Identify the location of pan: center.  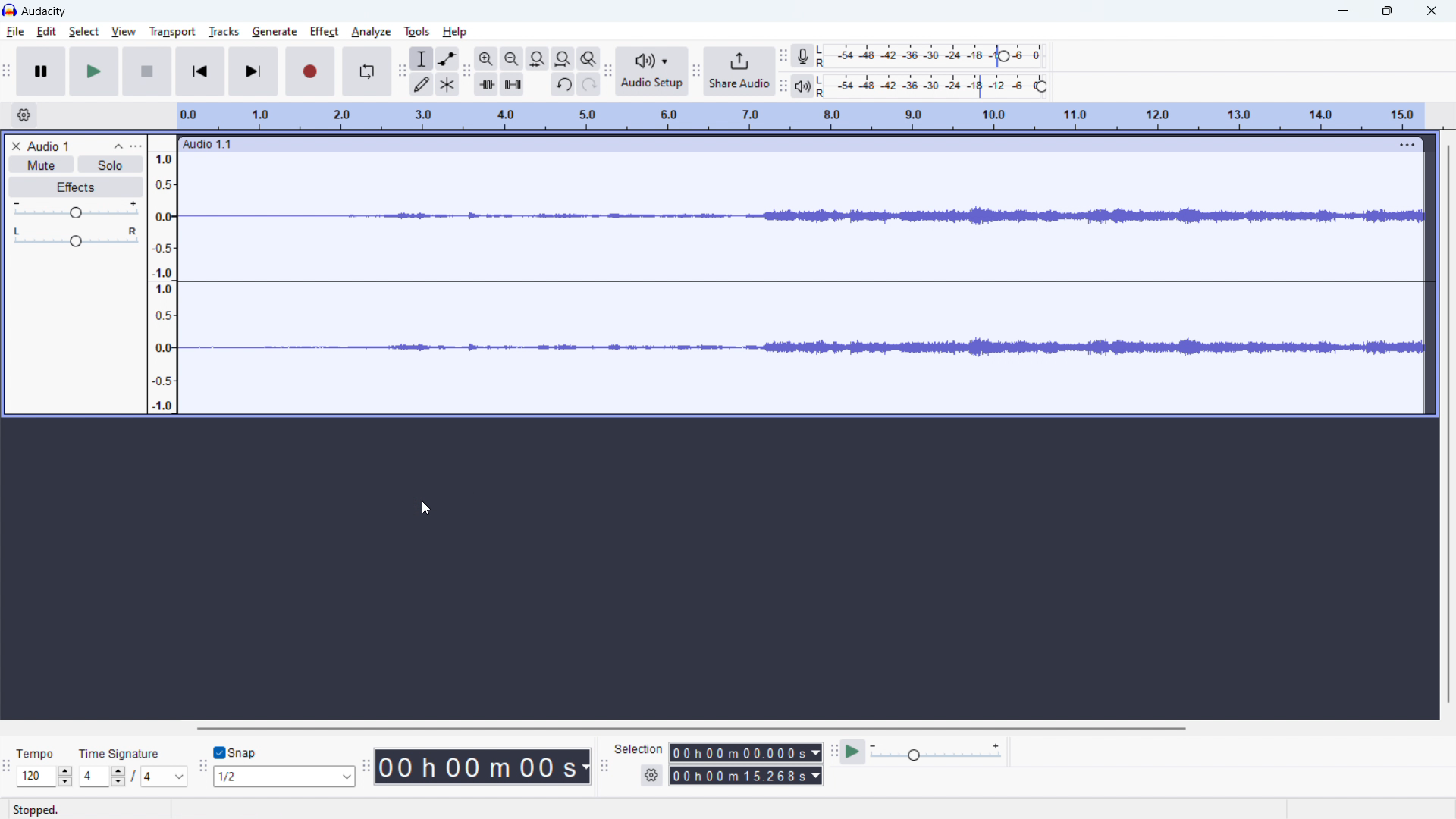
(76, 237).